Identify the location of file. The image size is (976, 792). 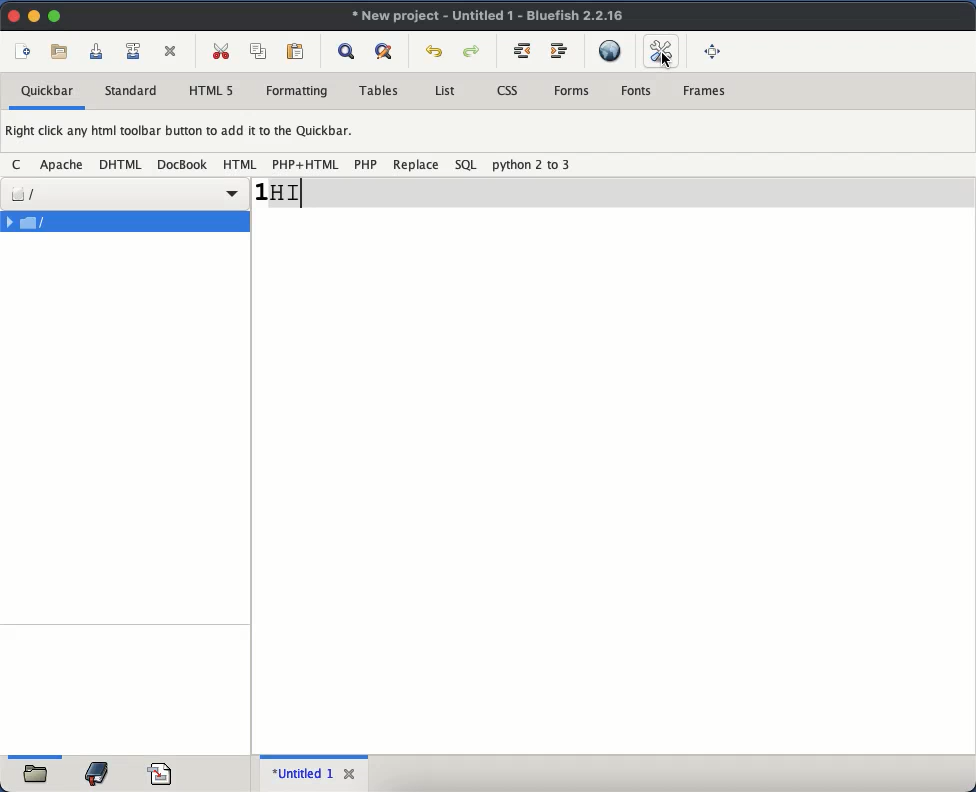
(37, 222).